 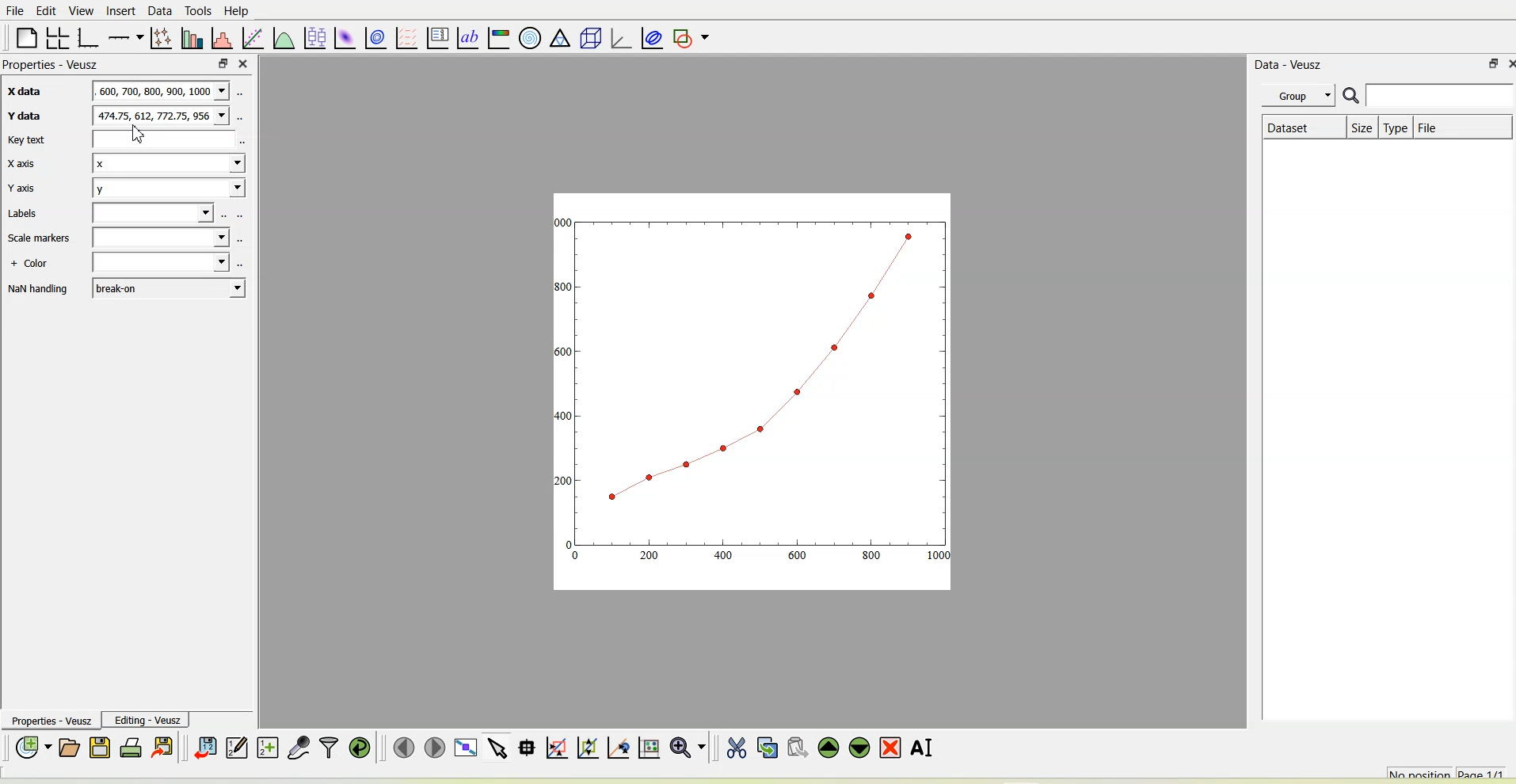 What do you see at coordinates (1431, 127) in the screenshot?
I see `File` at bounding box center [1431, 127].